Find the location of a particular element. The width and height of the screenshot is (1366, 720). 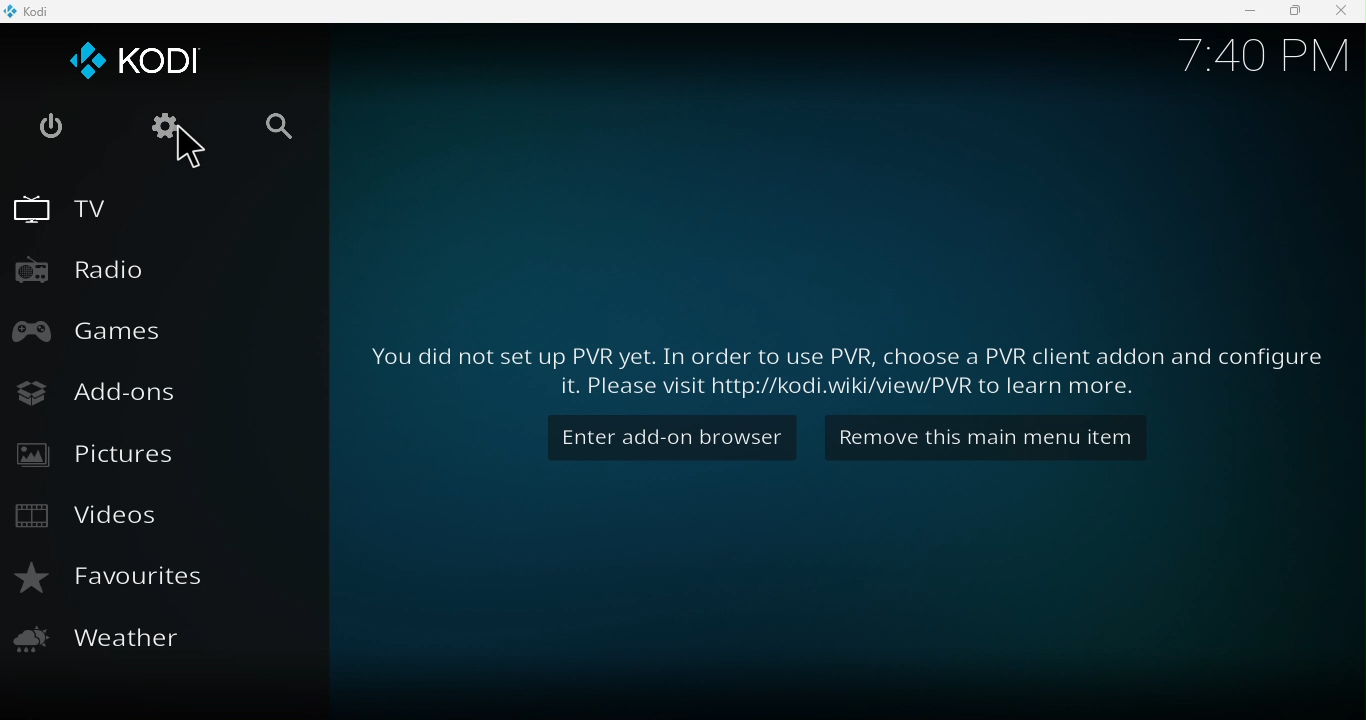

Add-ons is located at coordinates (101, 394).